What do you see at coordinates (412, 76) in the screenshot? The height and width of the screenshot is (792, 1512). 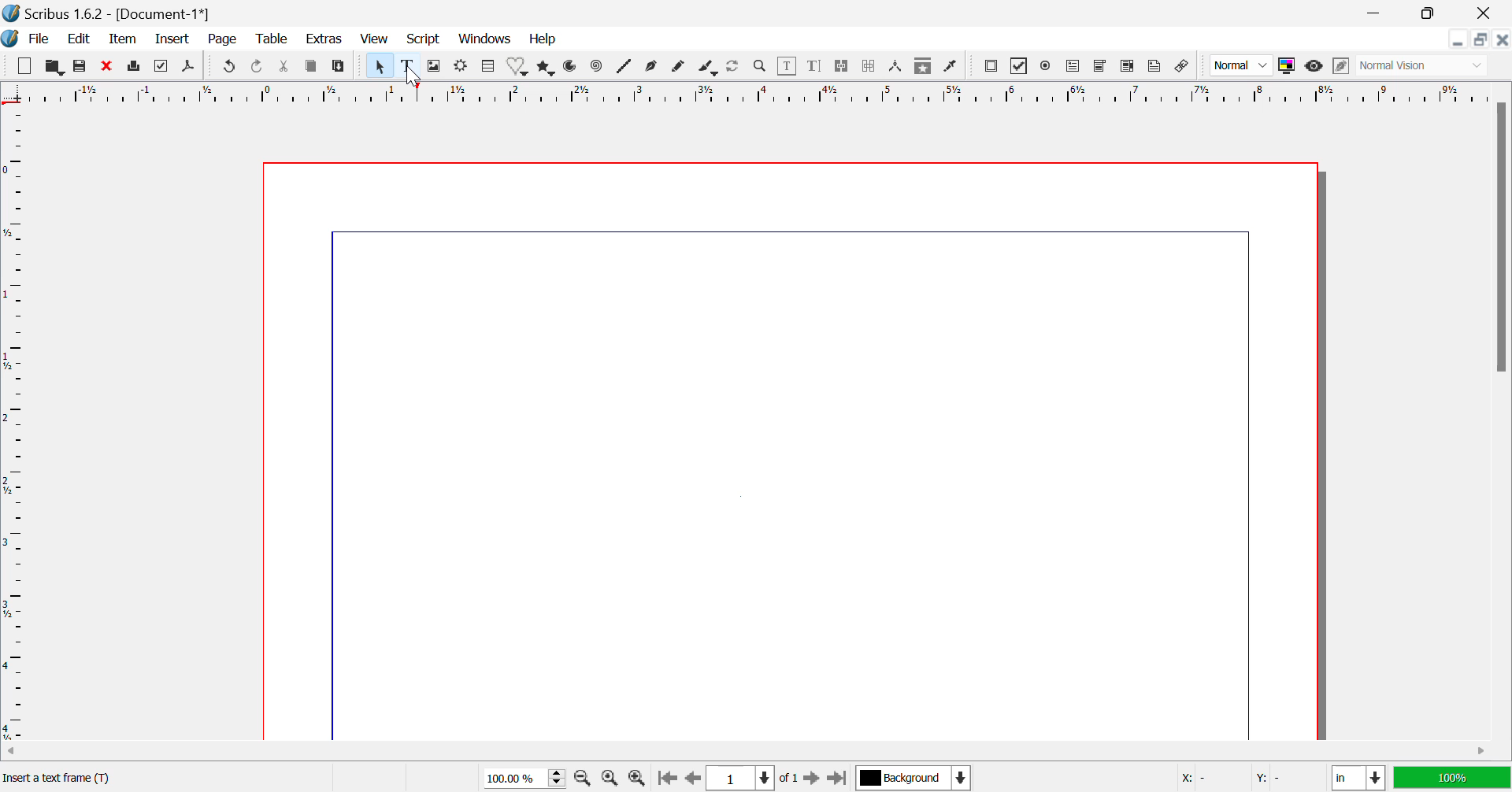 I see `Cursor ` at bounding box center [412, 76].